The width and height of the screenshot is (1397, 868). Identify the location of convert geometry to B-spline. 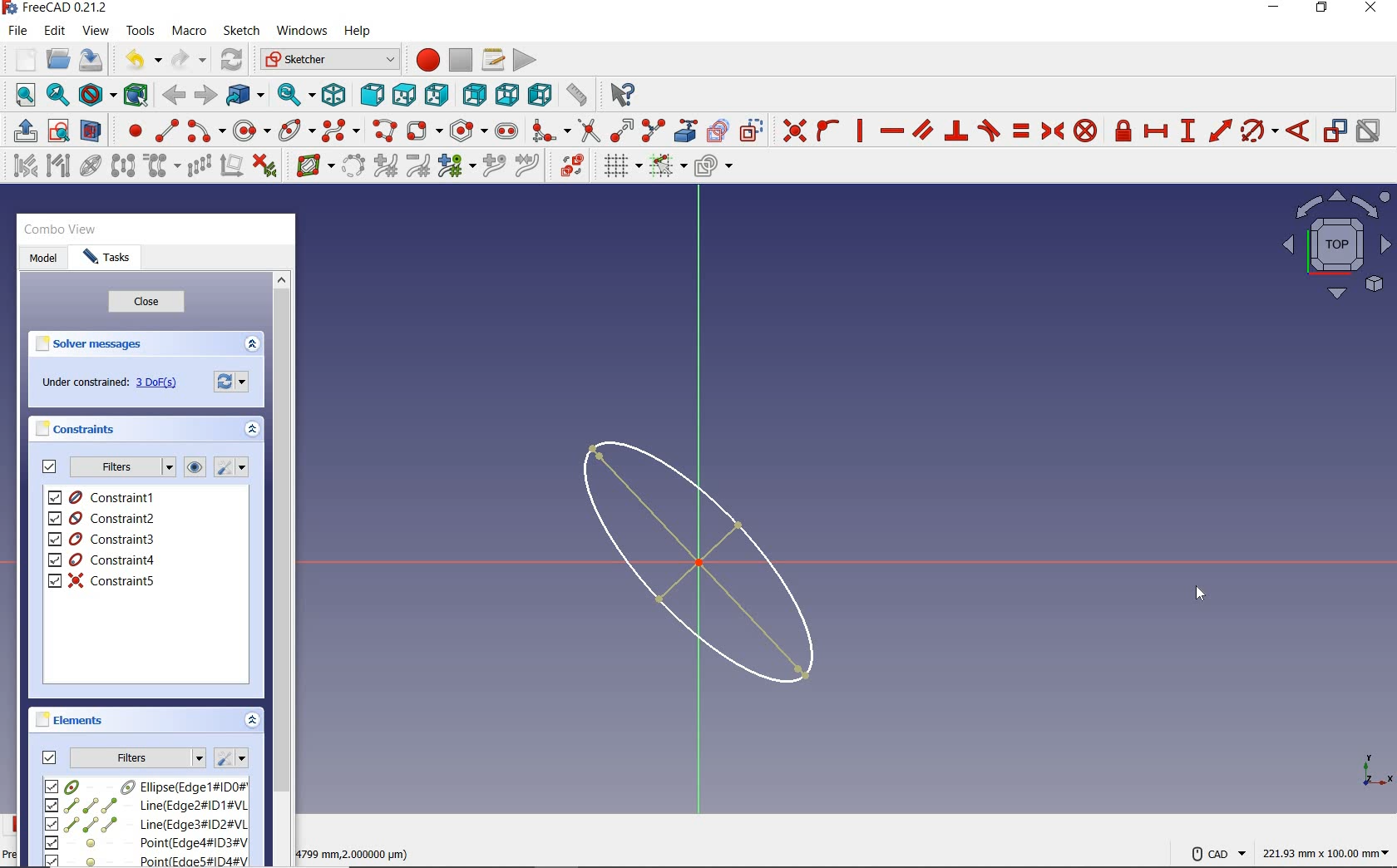
(353, 167).